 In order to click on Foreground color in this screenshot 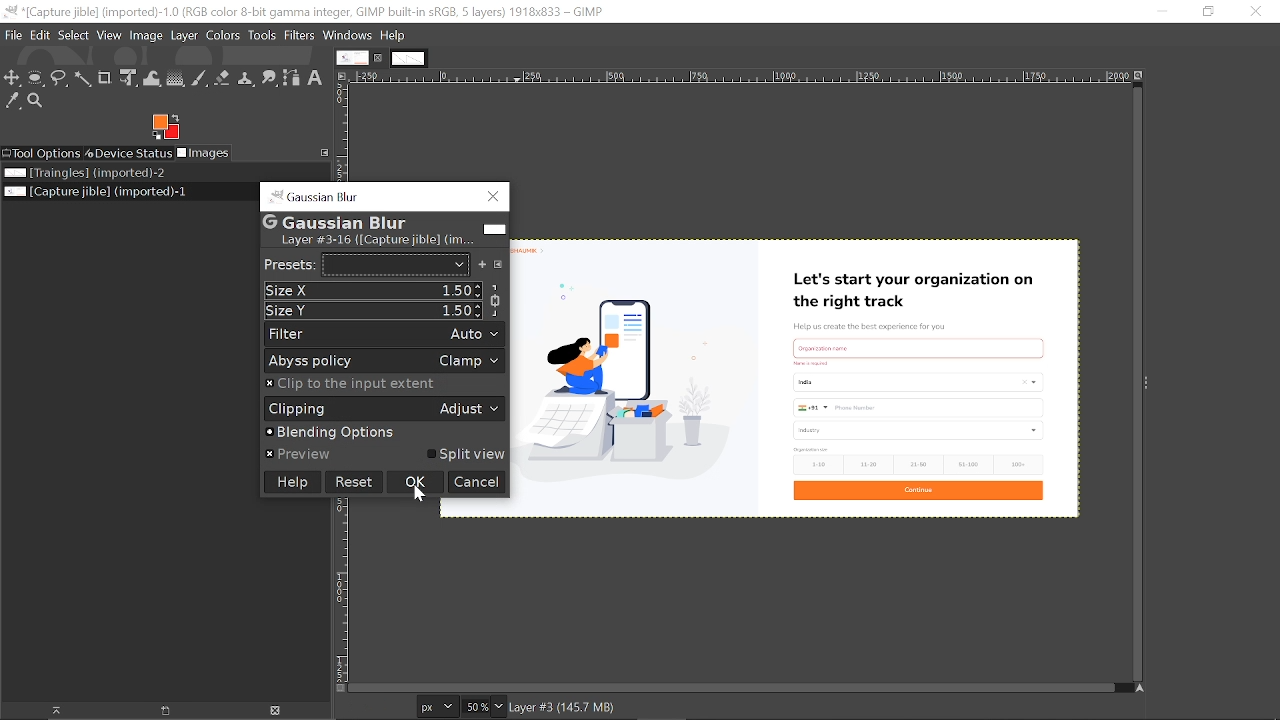, I will do `click(165, 127)`.